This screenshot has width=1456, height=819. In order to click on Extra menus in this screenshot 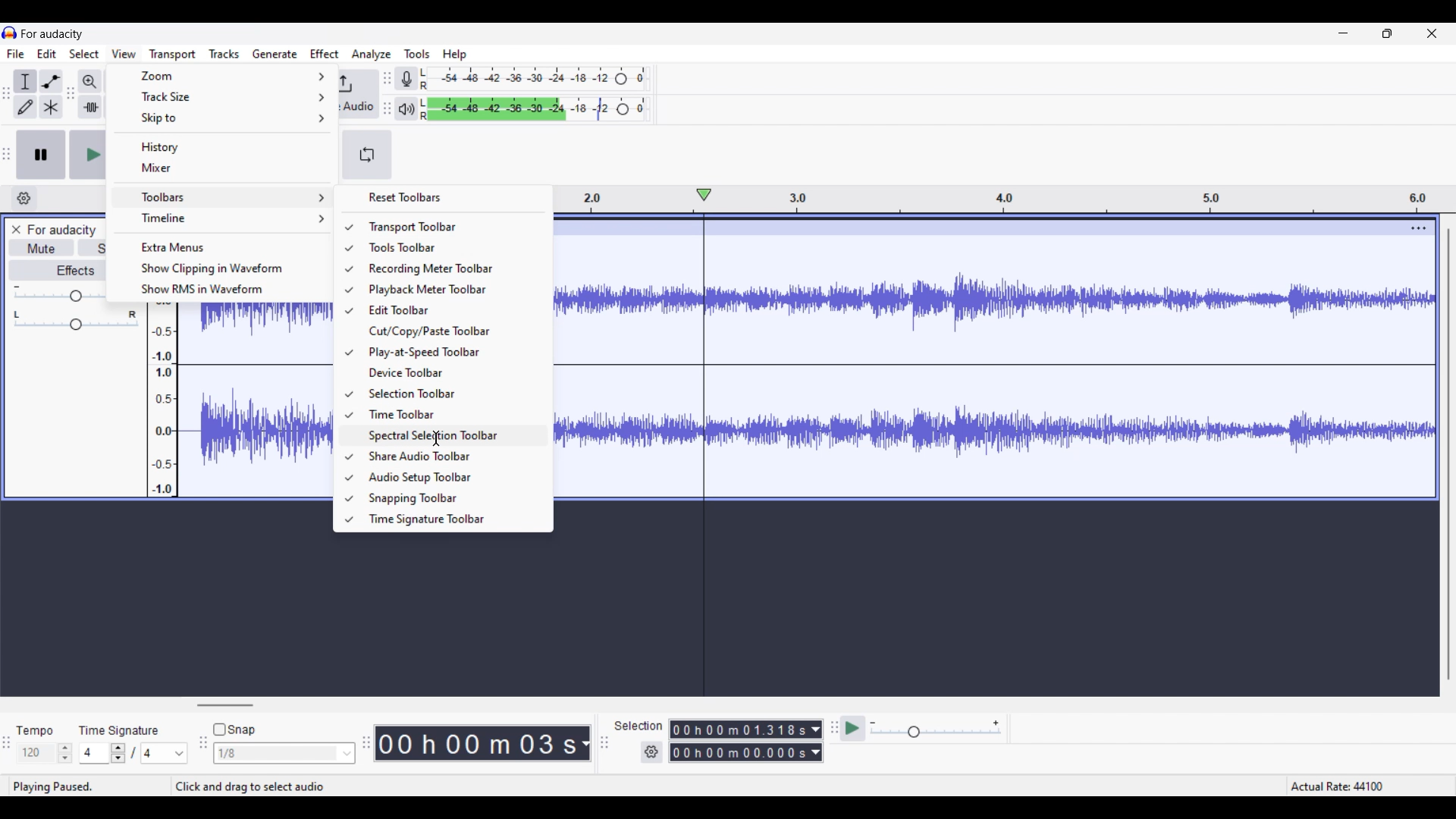, I will do `click(223, 246)`.